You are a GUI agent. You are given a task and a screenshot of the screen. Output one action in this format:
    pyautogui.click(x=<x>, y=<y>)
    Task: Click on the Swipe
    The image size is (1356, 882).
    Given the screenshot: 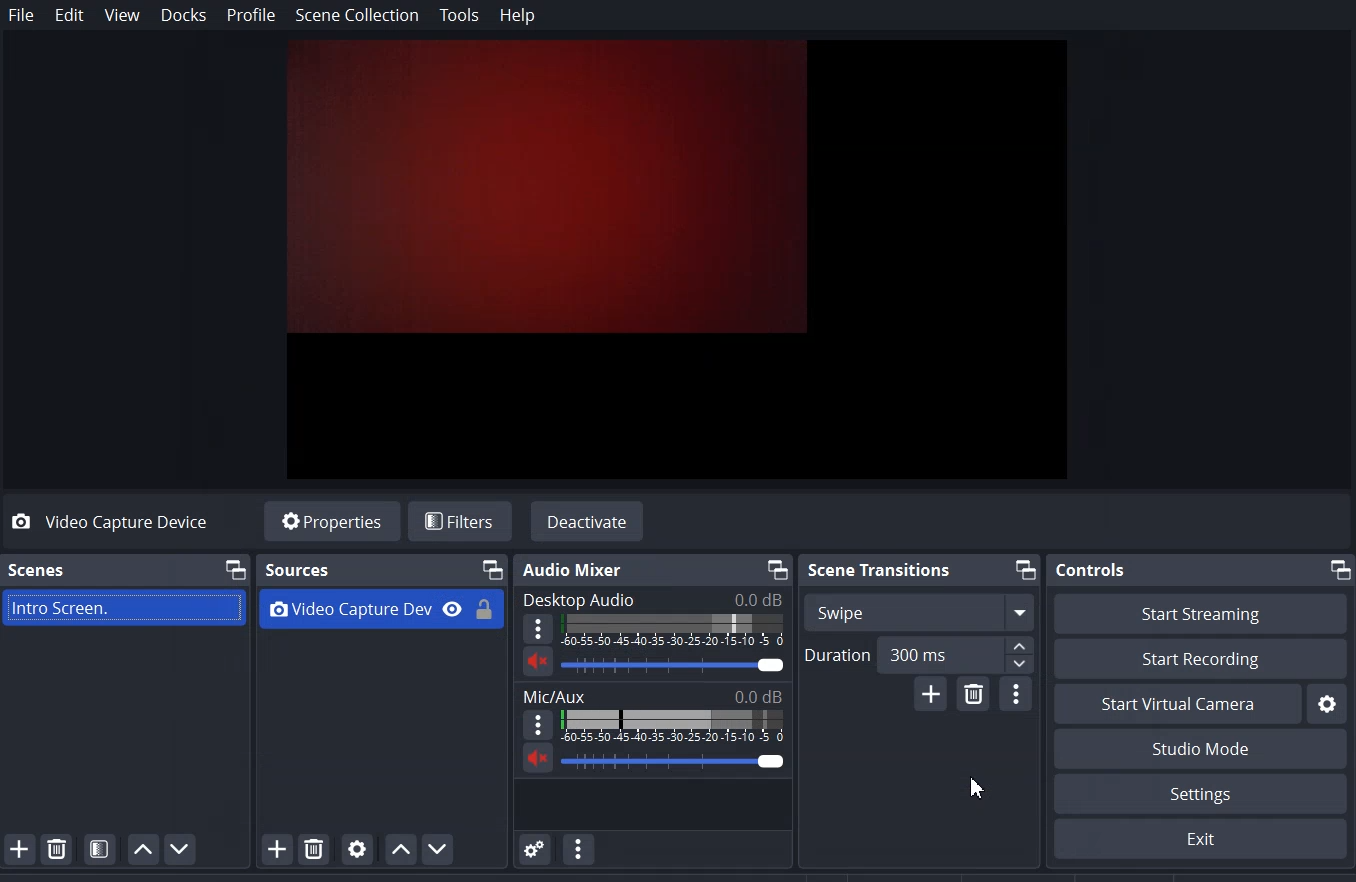 What is the action you would take?
    pyautogui.click(x=960, y=610)
    